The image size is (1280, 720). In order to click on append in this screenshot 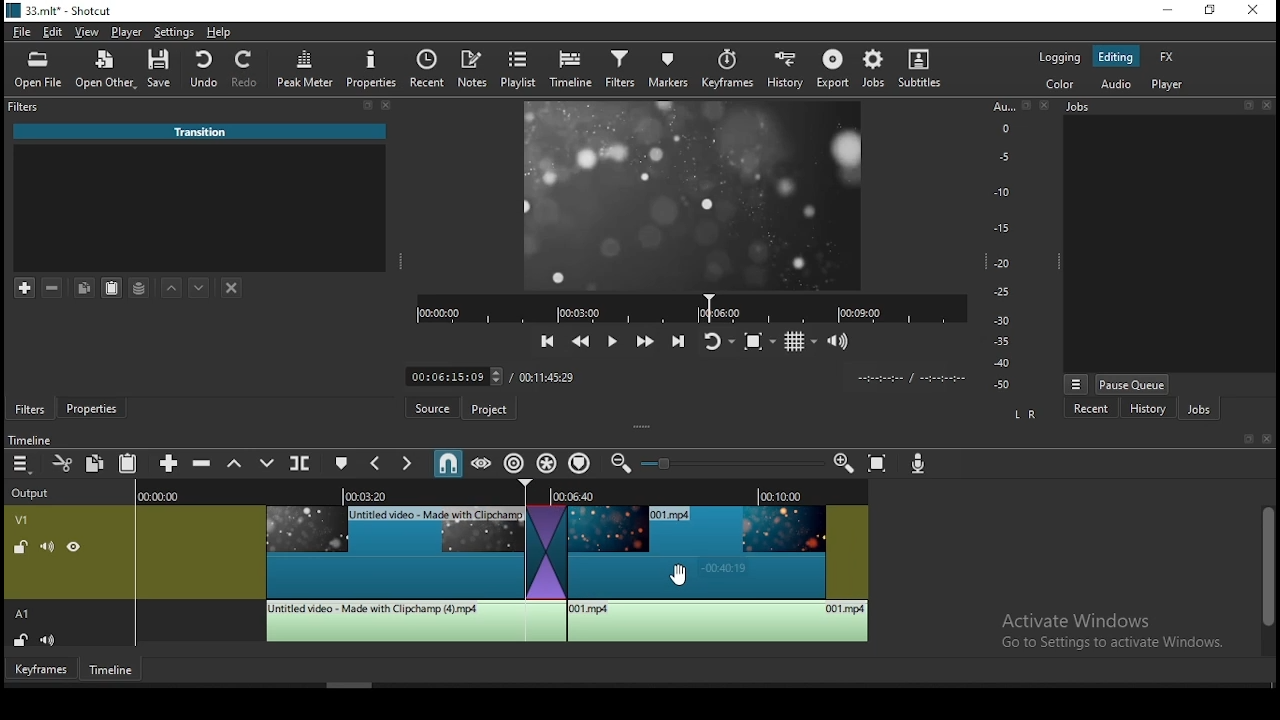, I will do `click(168, 463)`.